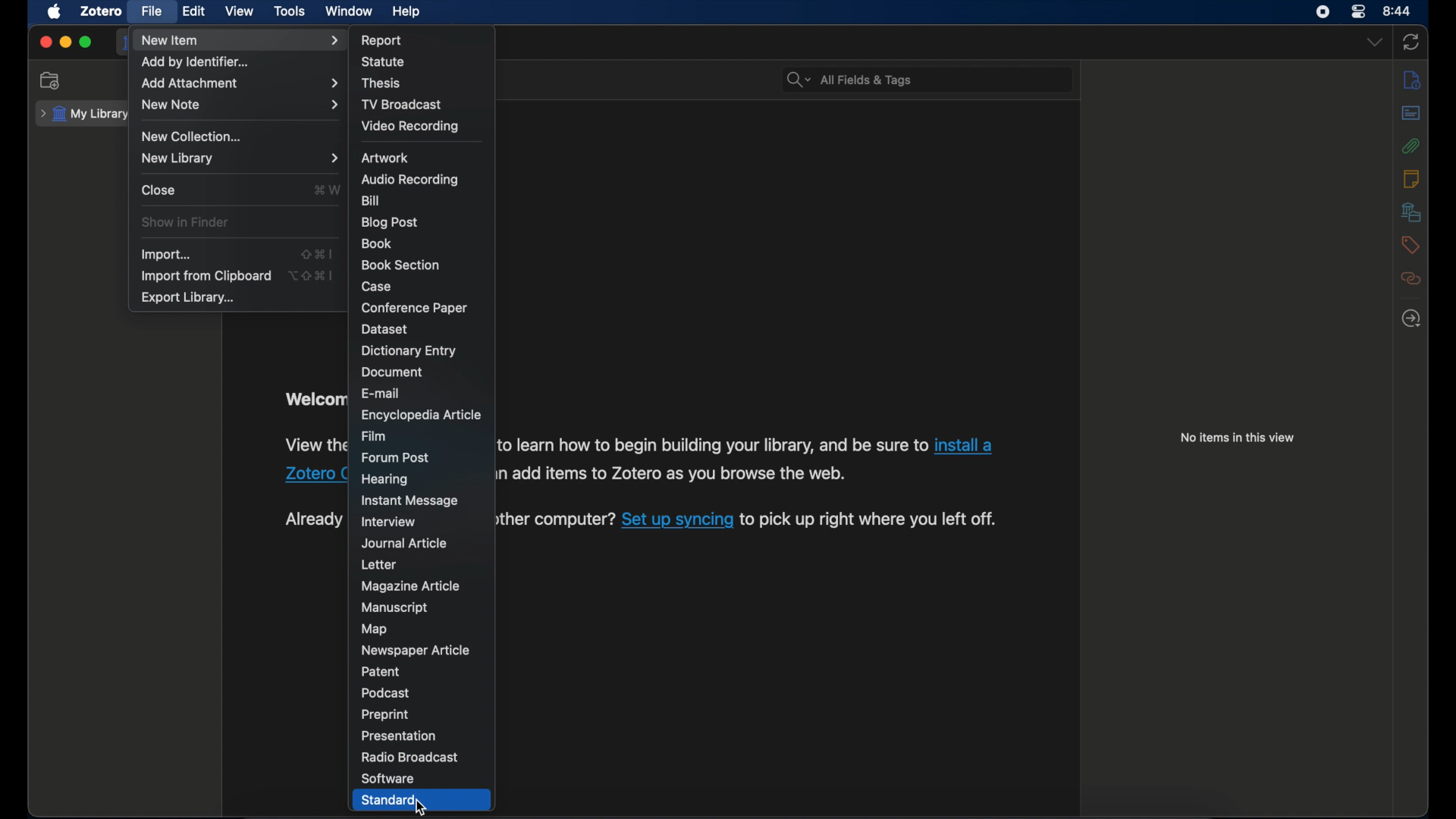 The height and width of the screenshot is (819, 1456). What do you see at coordinates (388, 522) in the screenshot?
I see `interview` at bounding box center [388, 522].